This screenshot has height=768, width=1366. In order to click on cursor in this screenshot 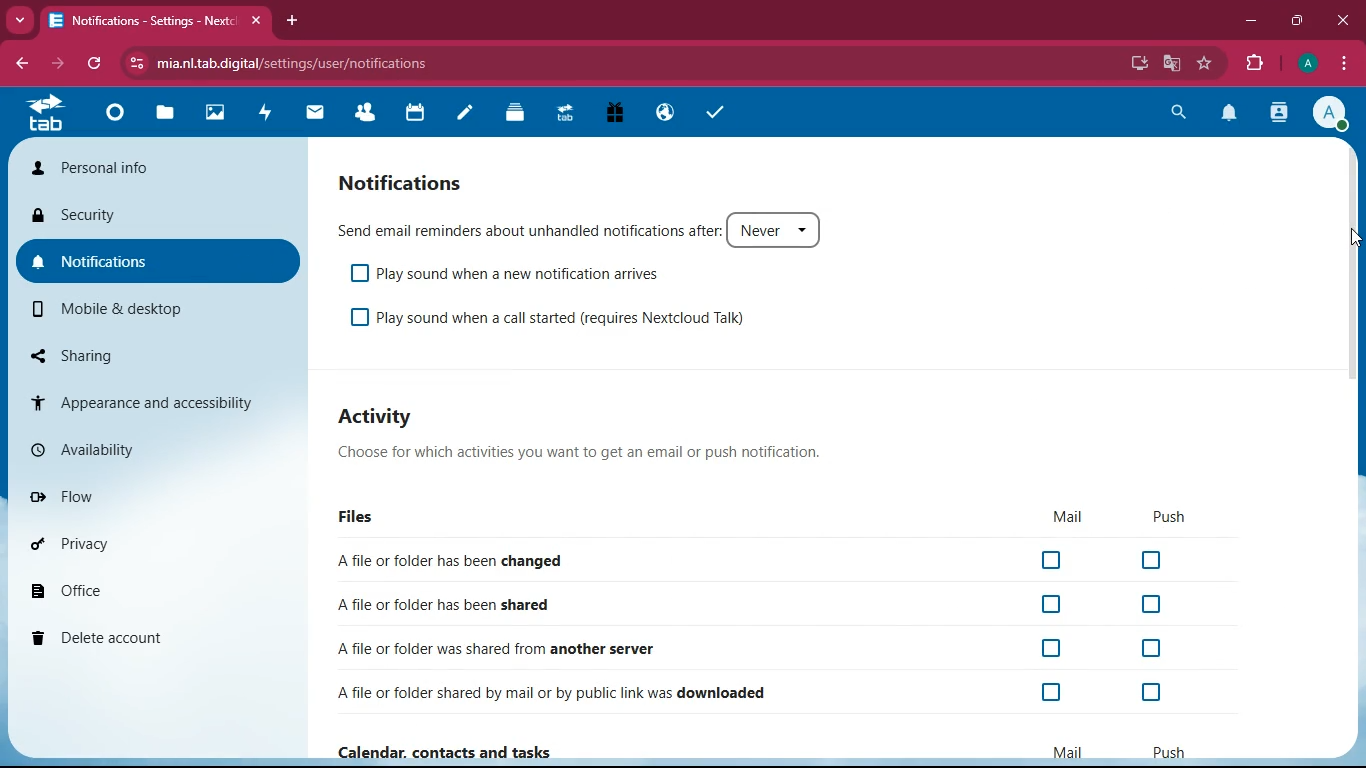, I will do `click(1354, 238)`.